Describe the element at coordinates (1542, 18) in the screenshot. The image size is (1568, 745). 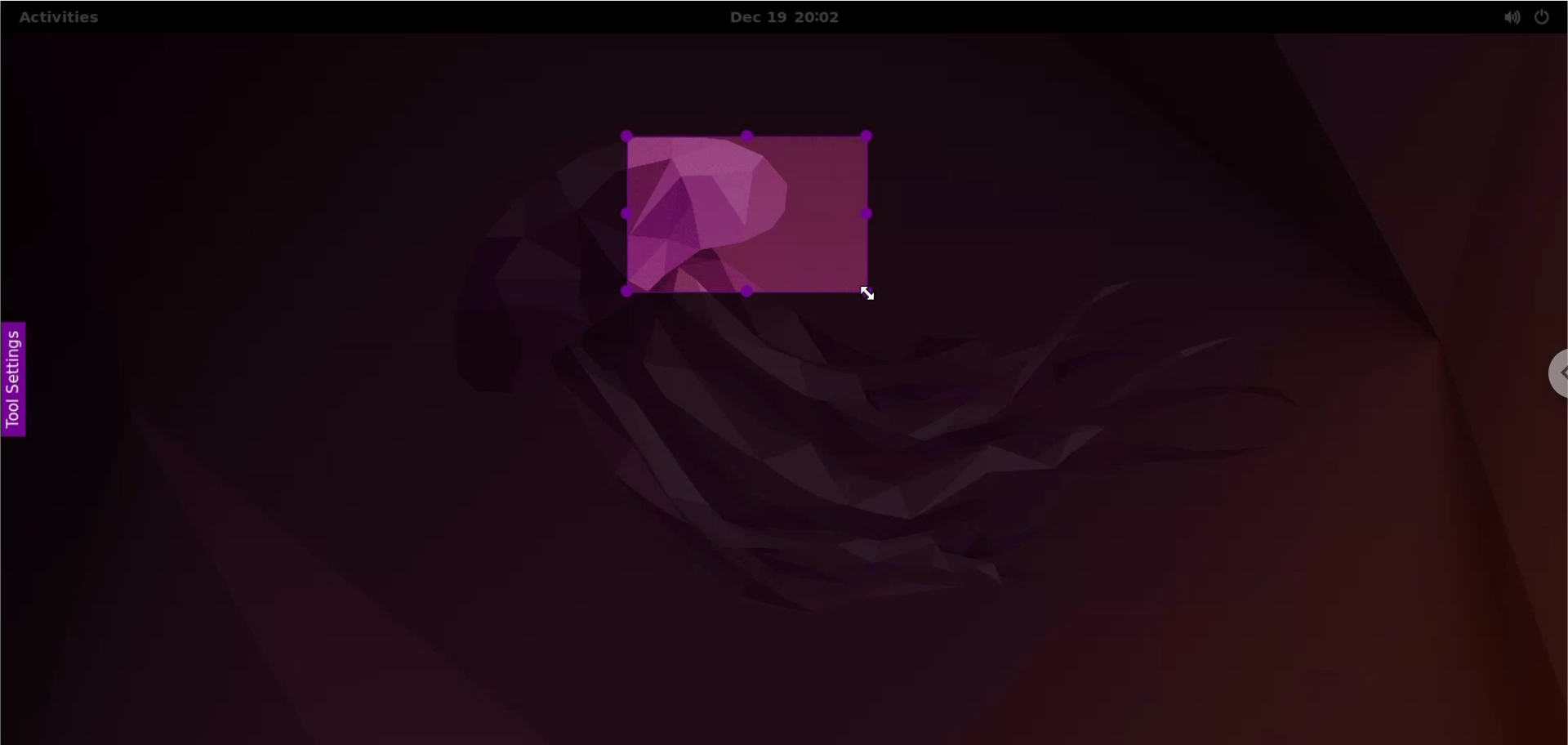
I see `power settings` at that location.